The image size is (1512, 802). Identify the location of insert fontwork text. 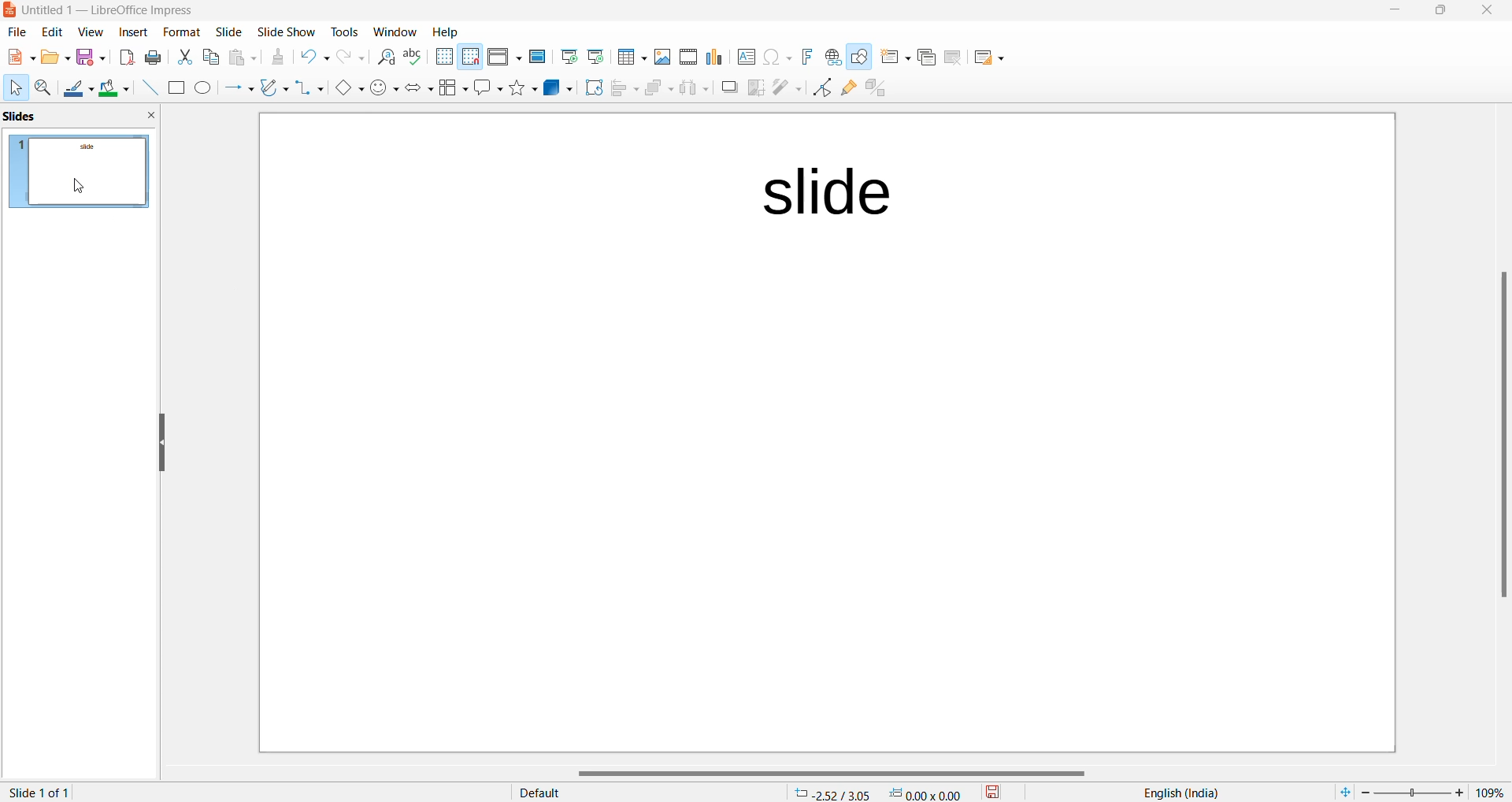
(806, 56).